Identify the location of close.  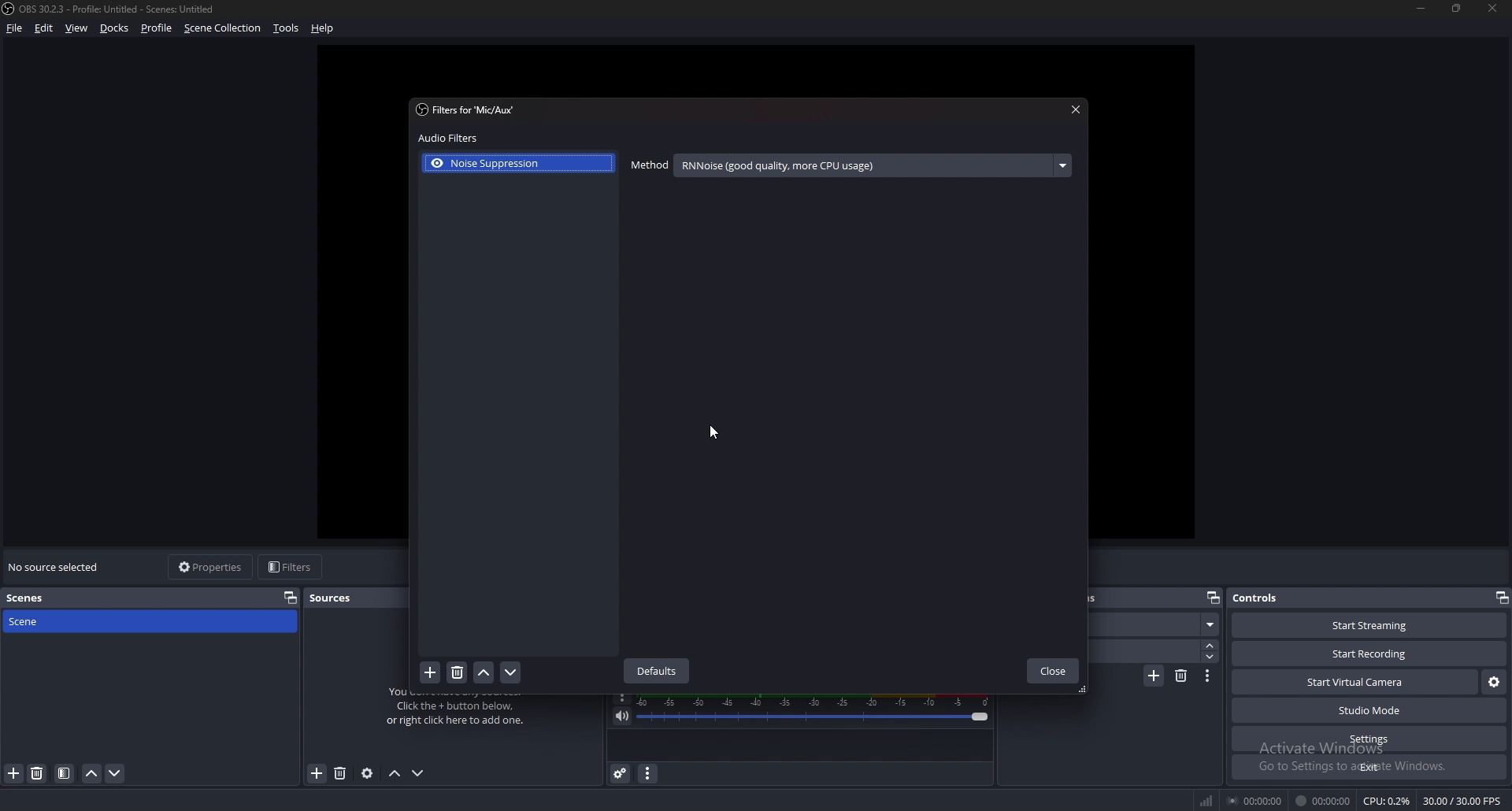
(1053, 671).